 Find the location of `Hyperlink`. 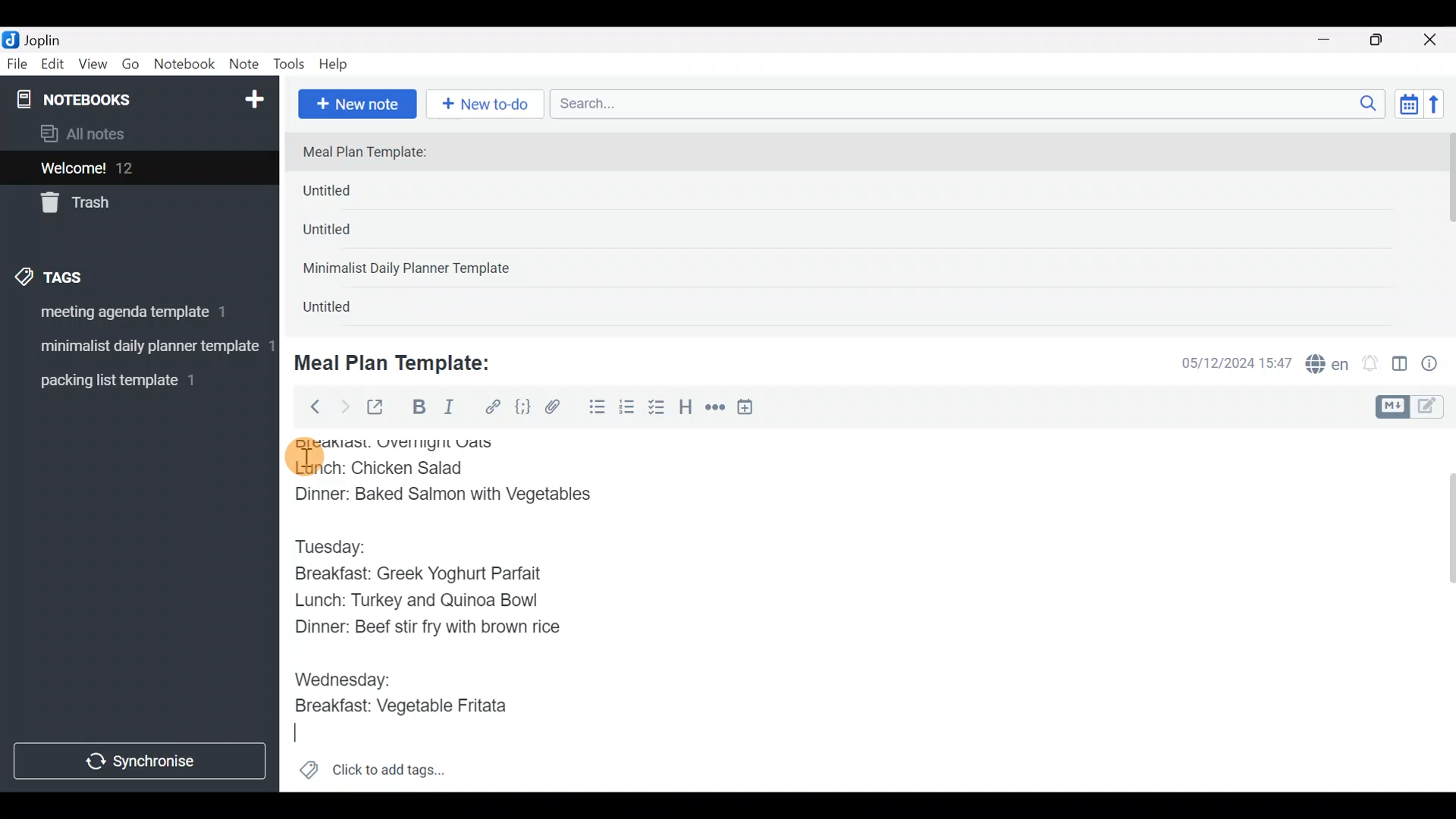

Hyperlink is located at coordinates (493, 407).